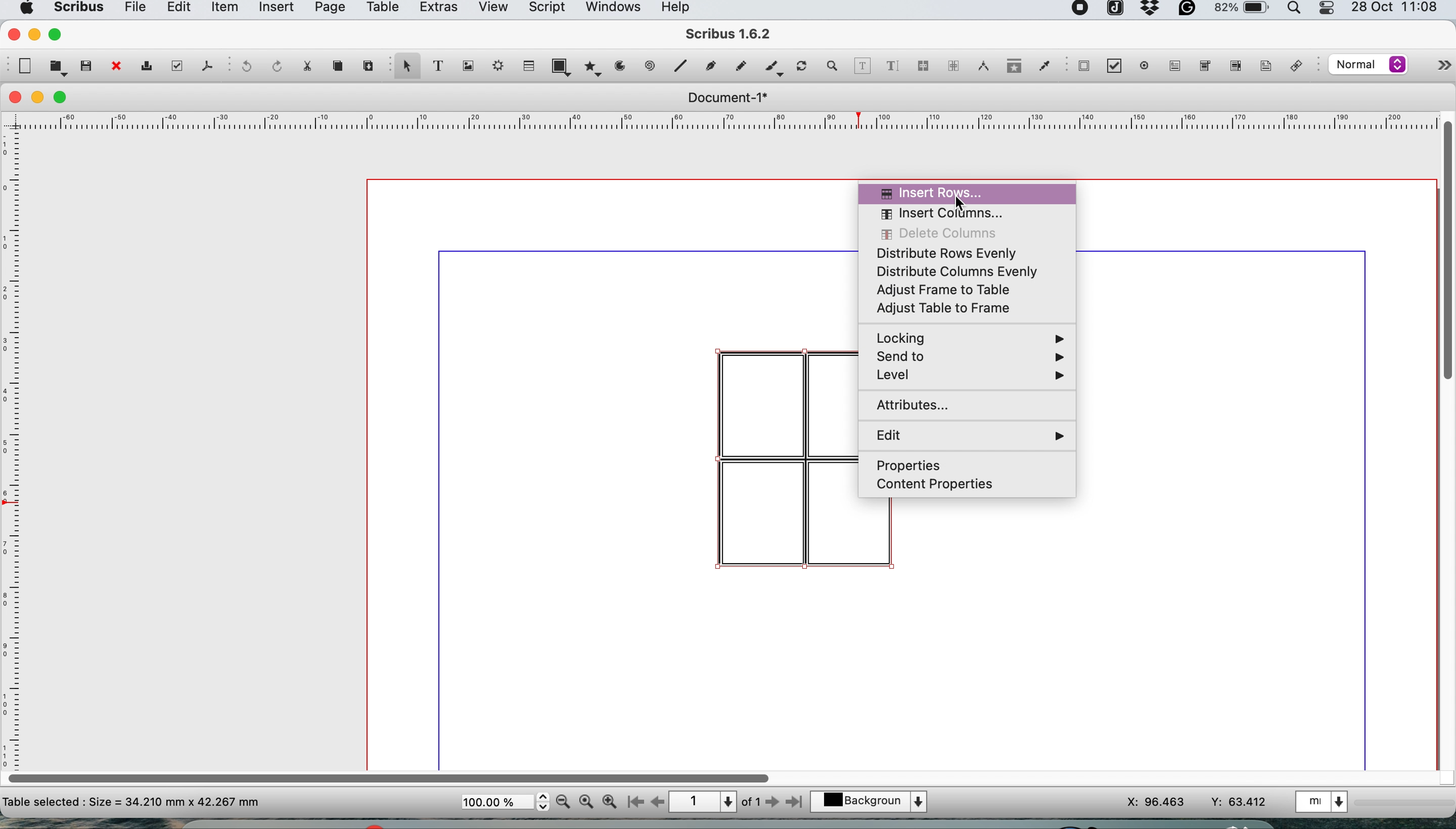 Image resolution: width=1456 pixels, height=829 pixels. Describe the element at coordinates (953, 253) in the screenshot. I see `distribute rows evenly` at that location.